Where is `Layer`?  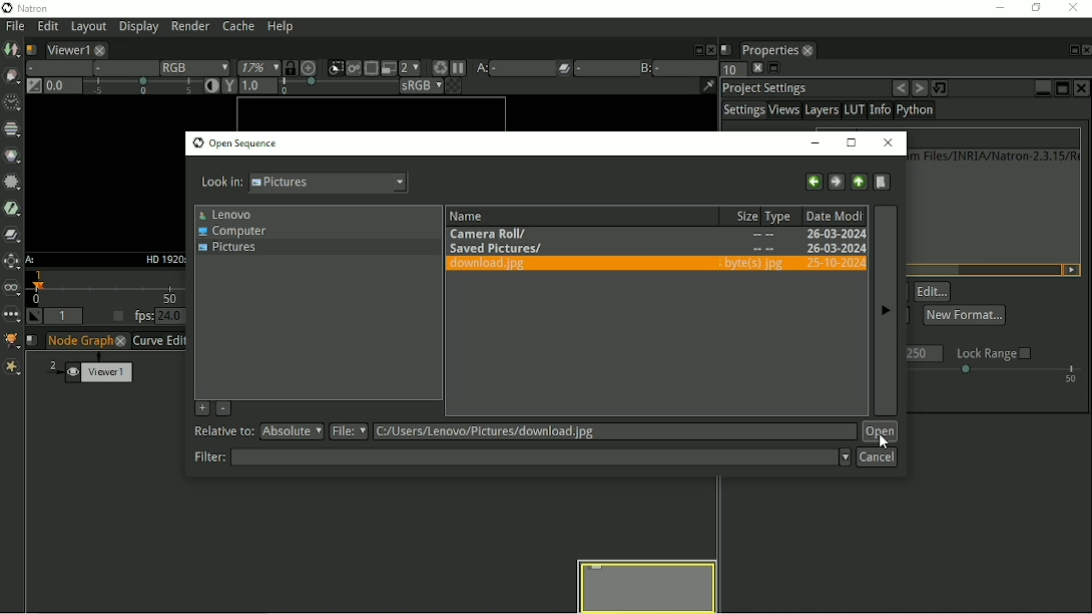 Layer is located at coordinates (55, 68).